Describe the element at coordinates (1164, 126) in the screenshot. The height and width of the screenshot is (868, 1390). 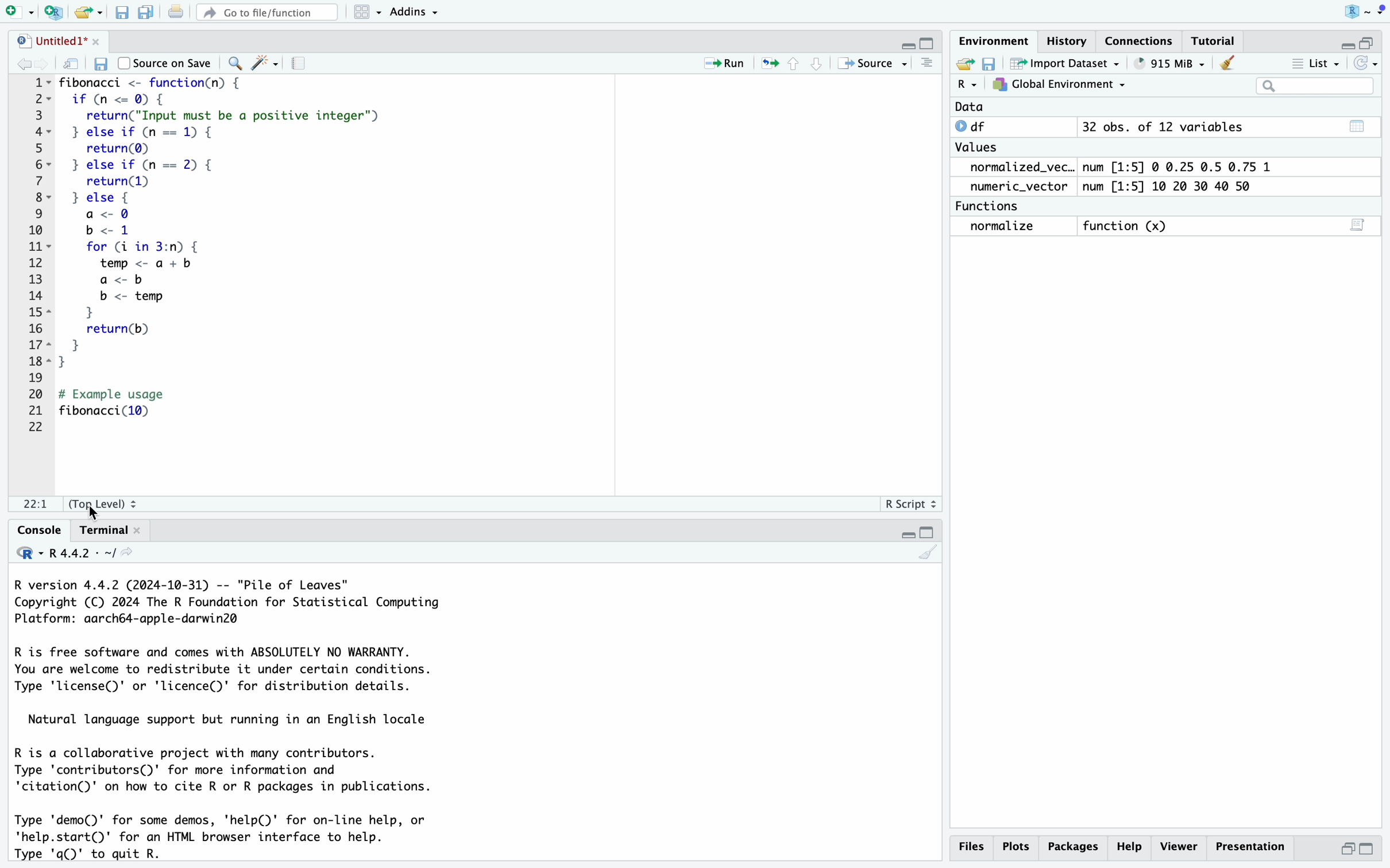
I see `32 obs. of 12 variables` at that location.